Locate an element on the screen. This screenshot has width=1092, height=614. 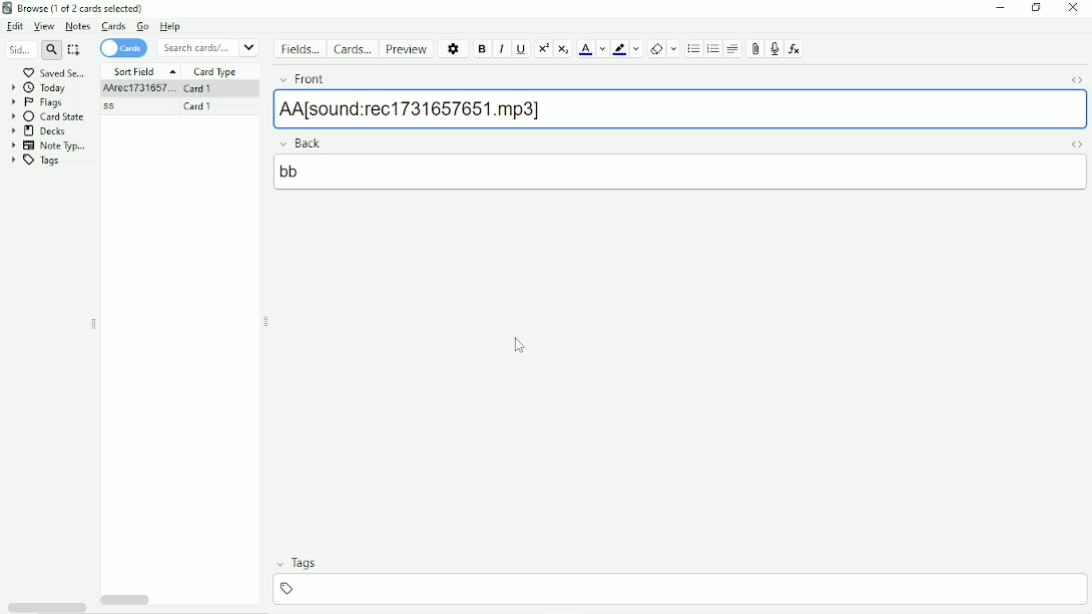
Ordered list is located at coordinates (714, 49).